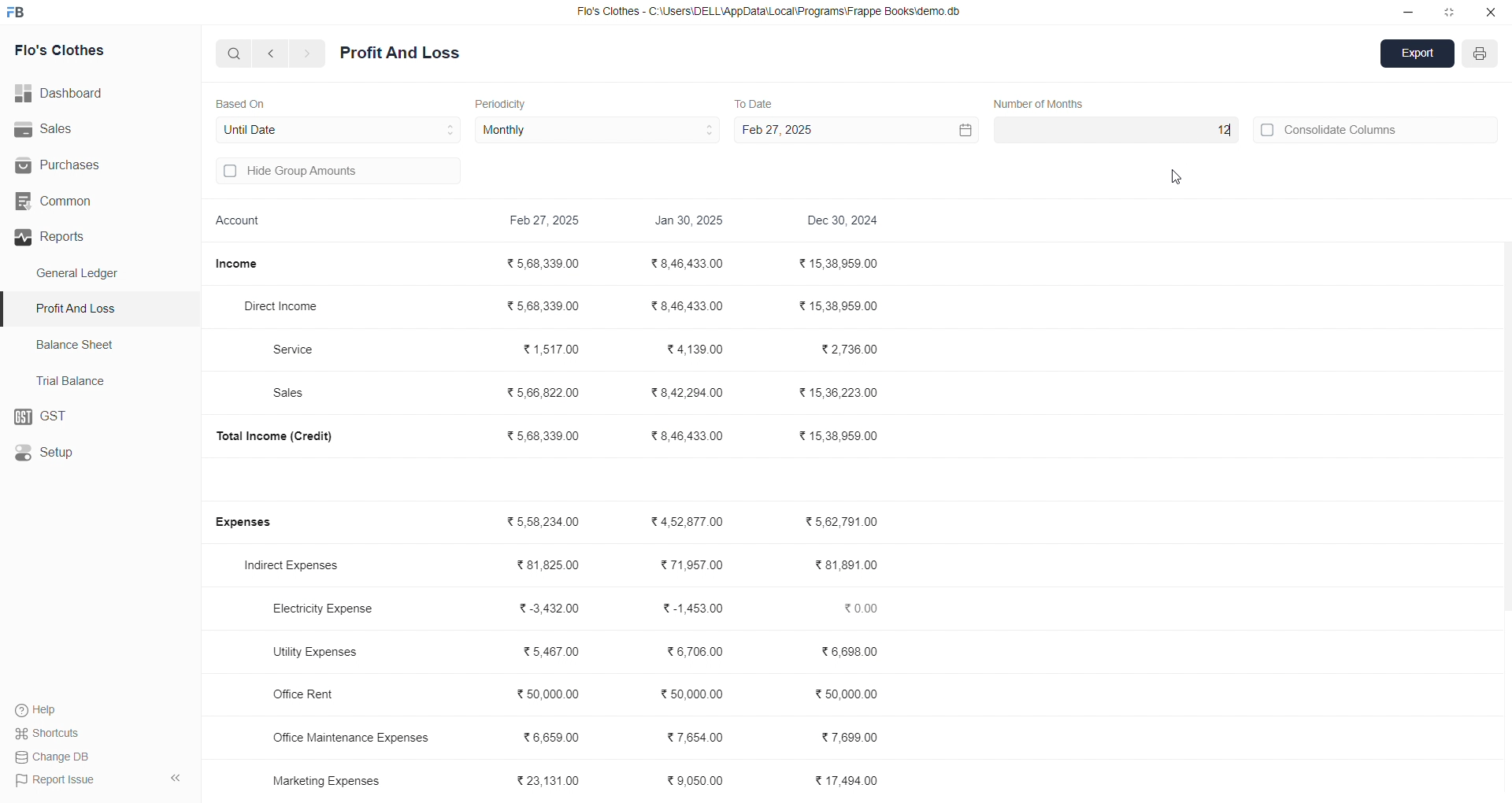 The image size is (1512, 803). What do you see at coordinates (690, 521) in the screenshot?
I see `₹4,52,877.00` at bounding box center [690, 521].